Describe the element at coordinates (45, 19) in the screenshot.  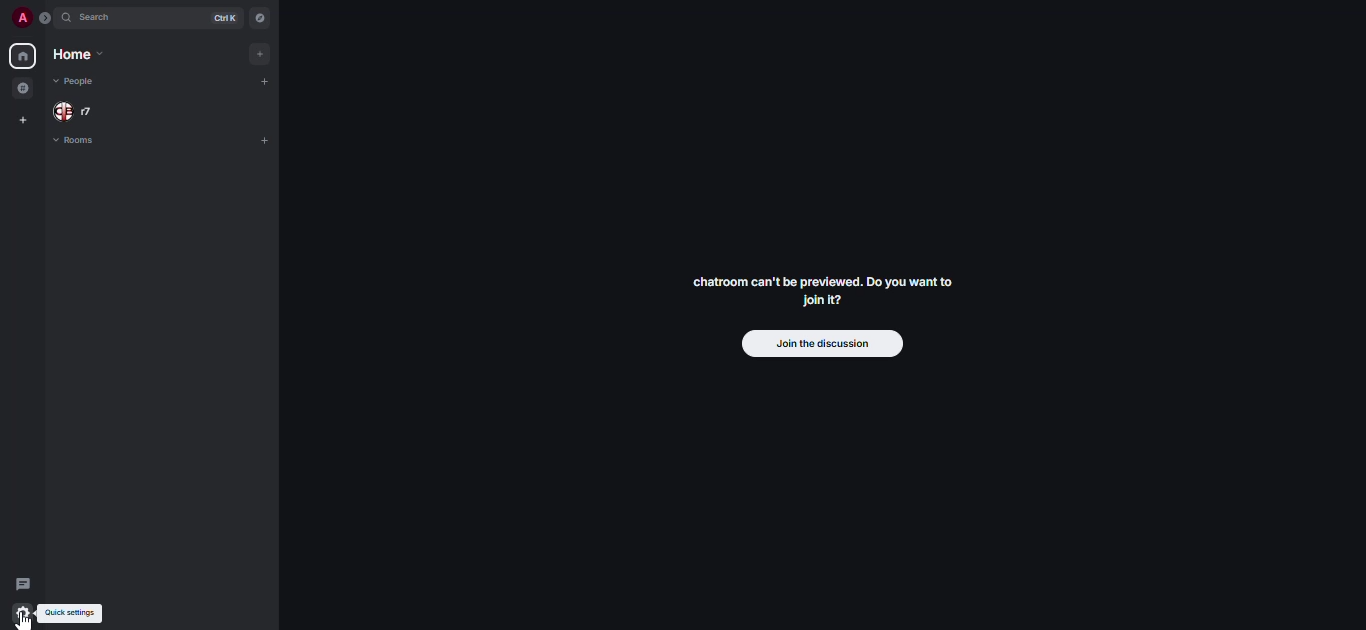
I see `expand` at that location.